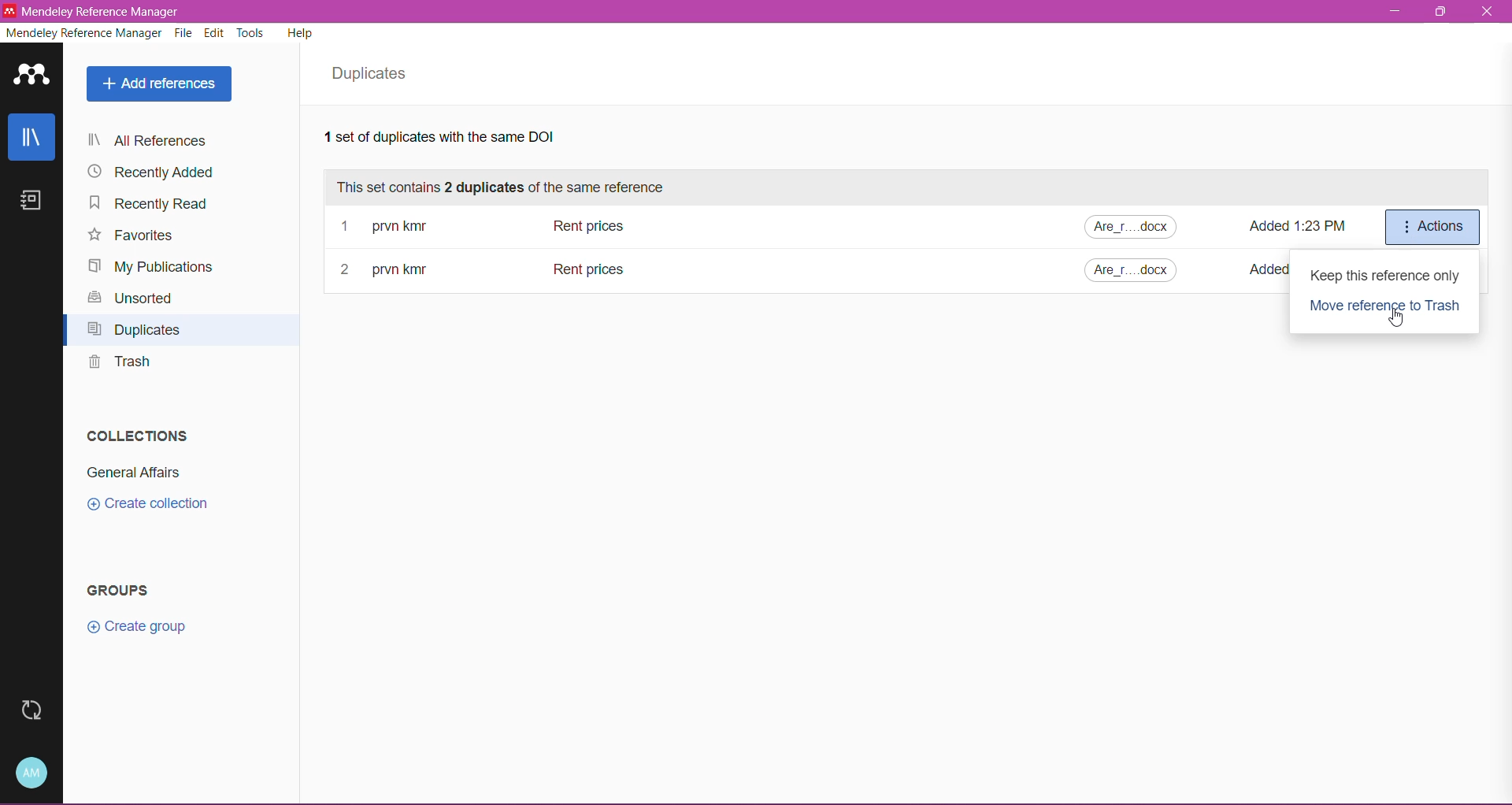 The width and height of the screenshot is (1512, 805). What do you see at coordinates (398, 227) in the screenshot?
I see `Author names` at bounding box center [398, 227].